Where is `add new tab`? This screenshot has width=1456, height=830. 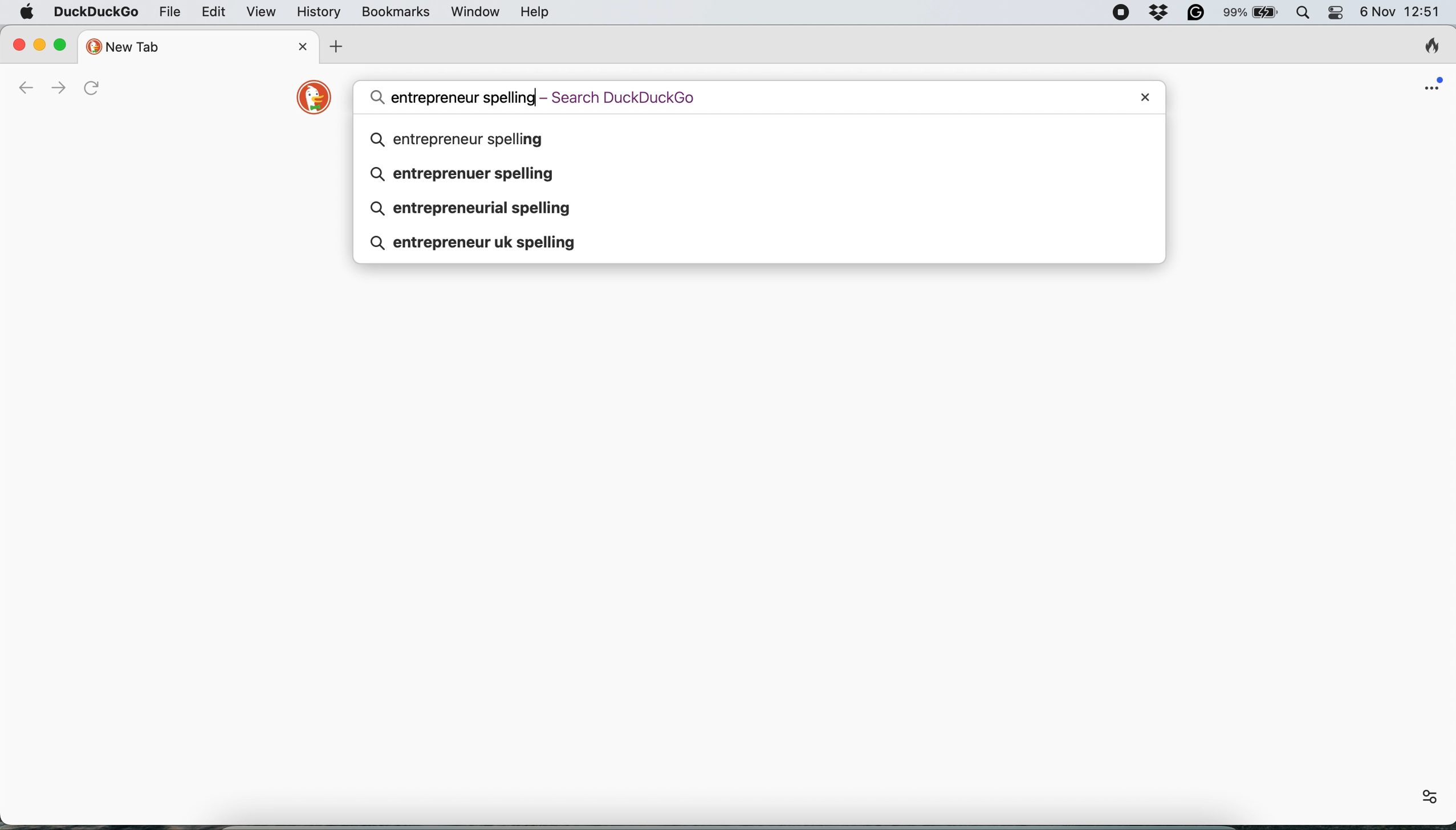
add new tab is located at coordinates (339, 46).